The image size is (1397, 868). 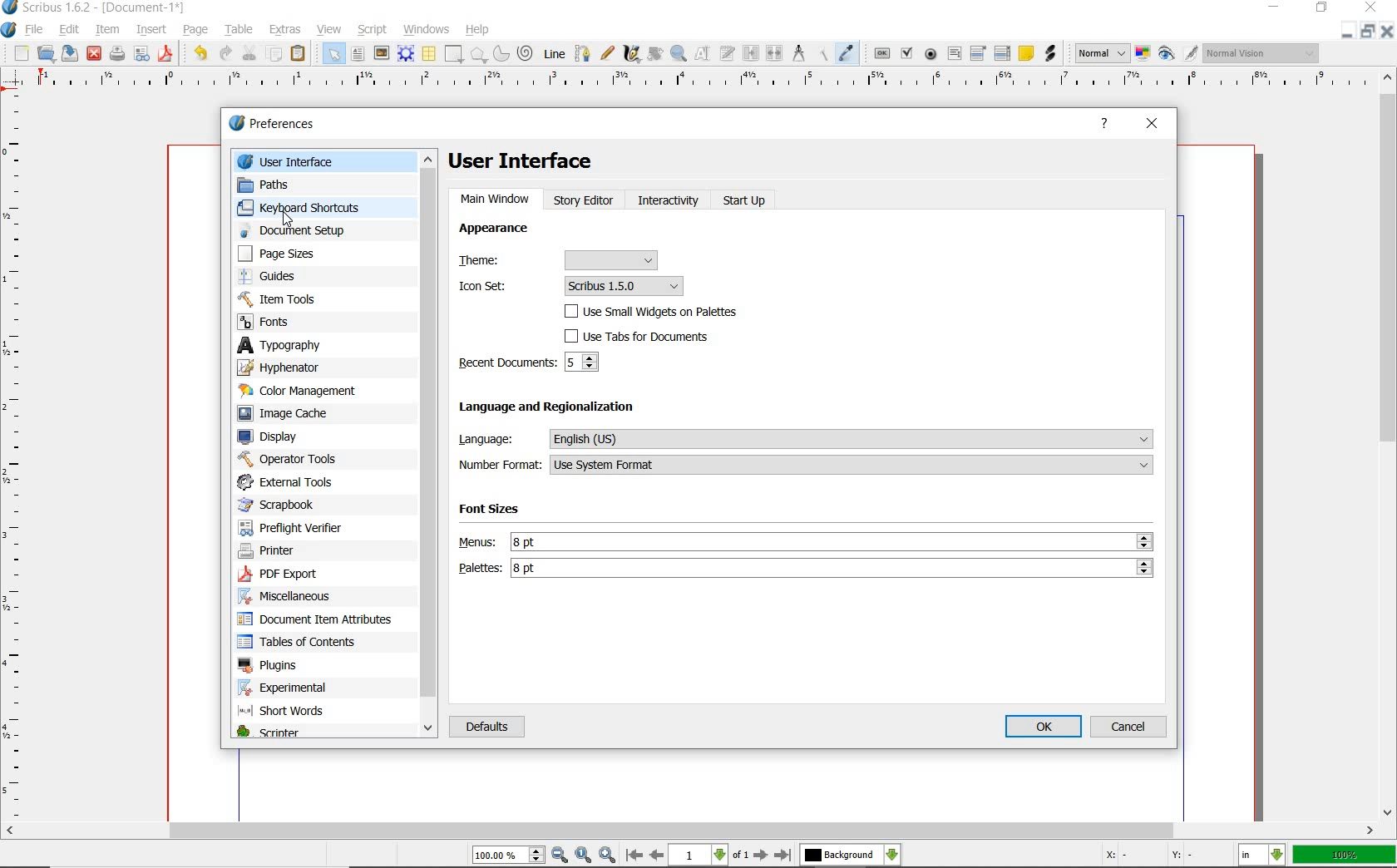 What do you see at coordinates (1026, 53) in the screenshot?
I see `text annotation` at bounding box center [1026, 53].